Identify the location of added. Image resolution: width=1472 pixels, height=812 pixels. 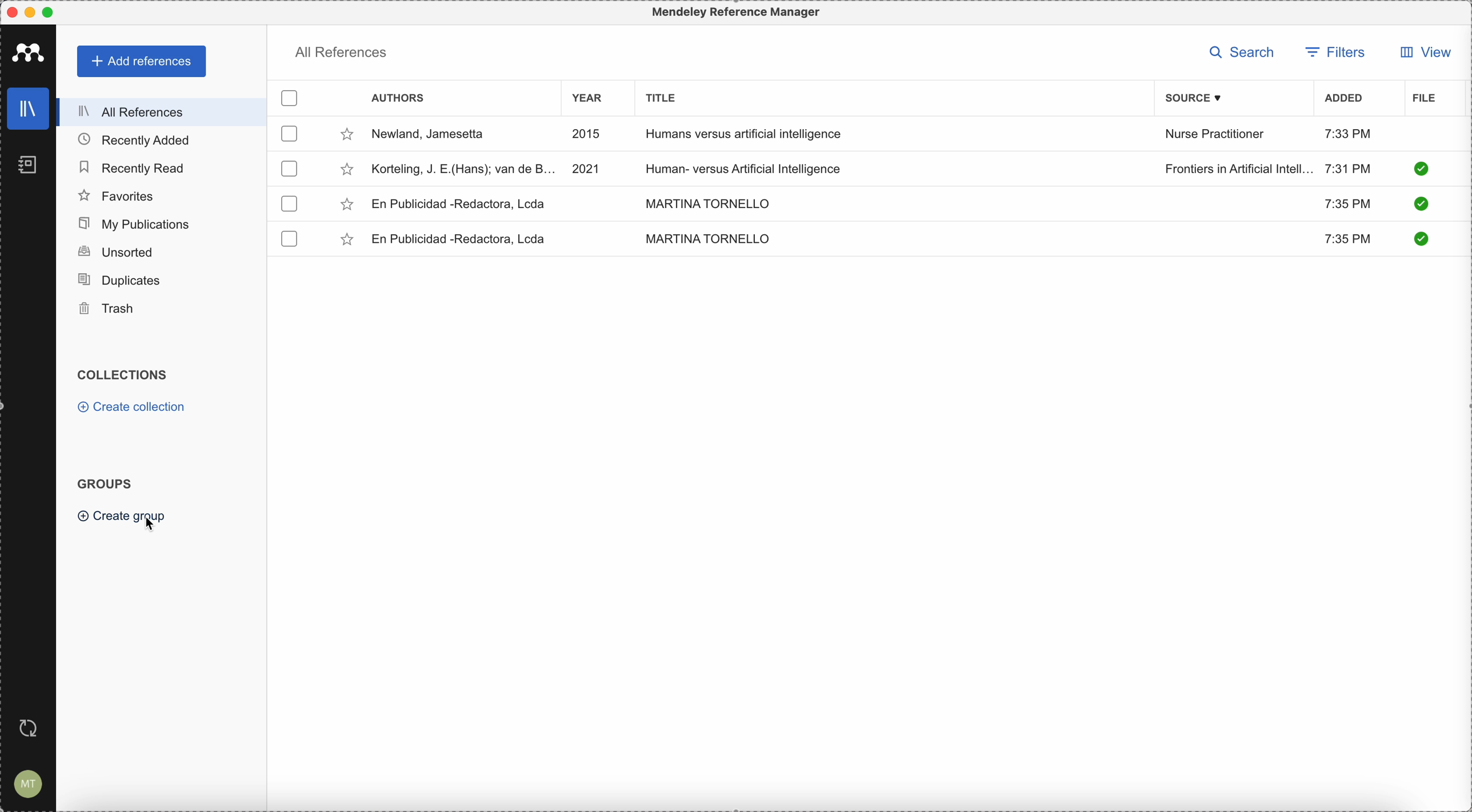
(1344, 99).